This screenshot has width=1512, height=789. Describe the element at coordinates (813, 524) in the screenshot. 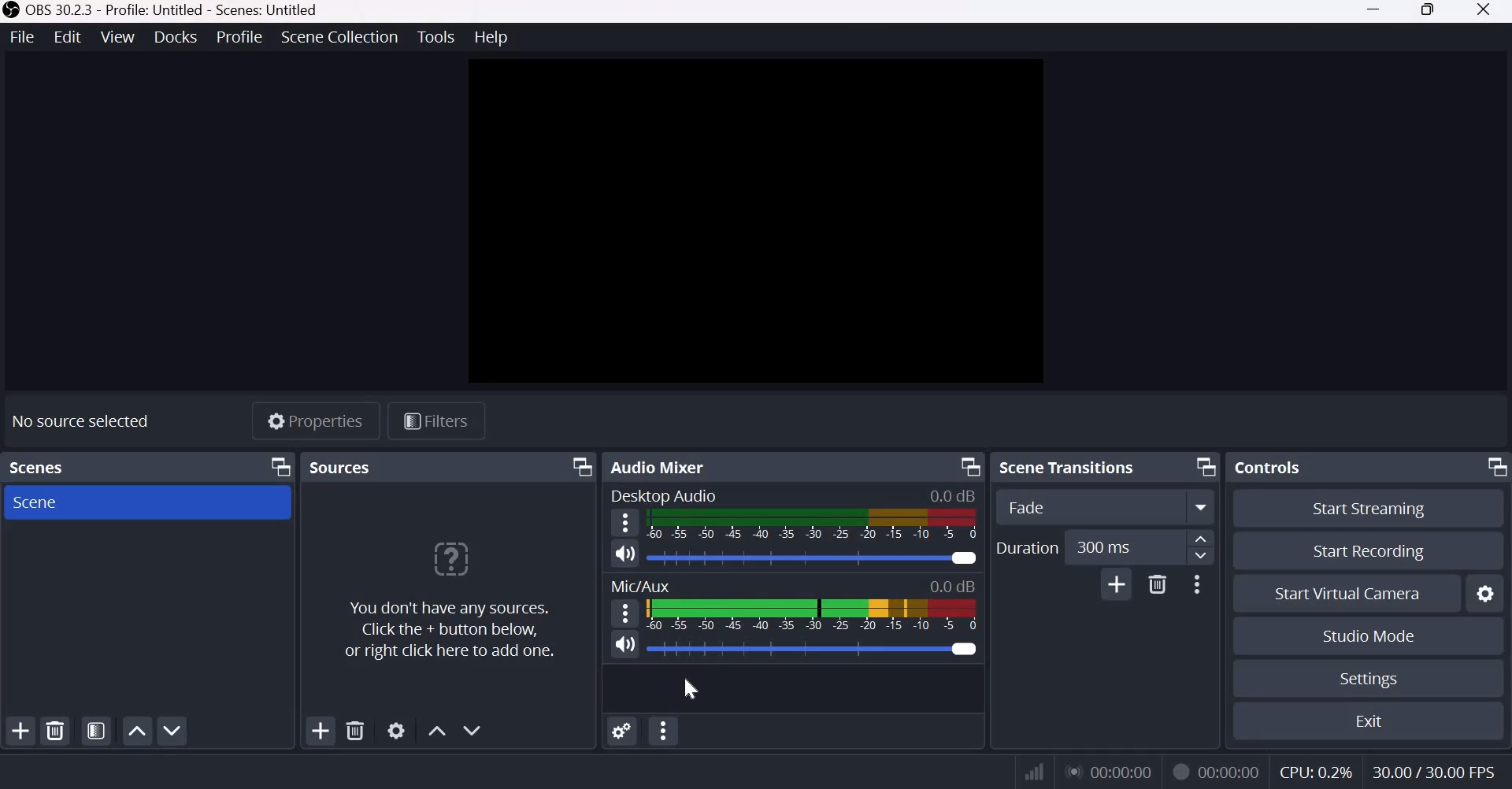

I see `Volume Meter` at that location.